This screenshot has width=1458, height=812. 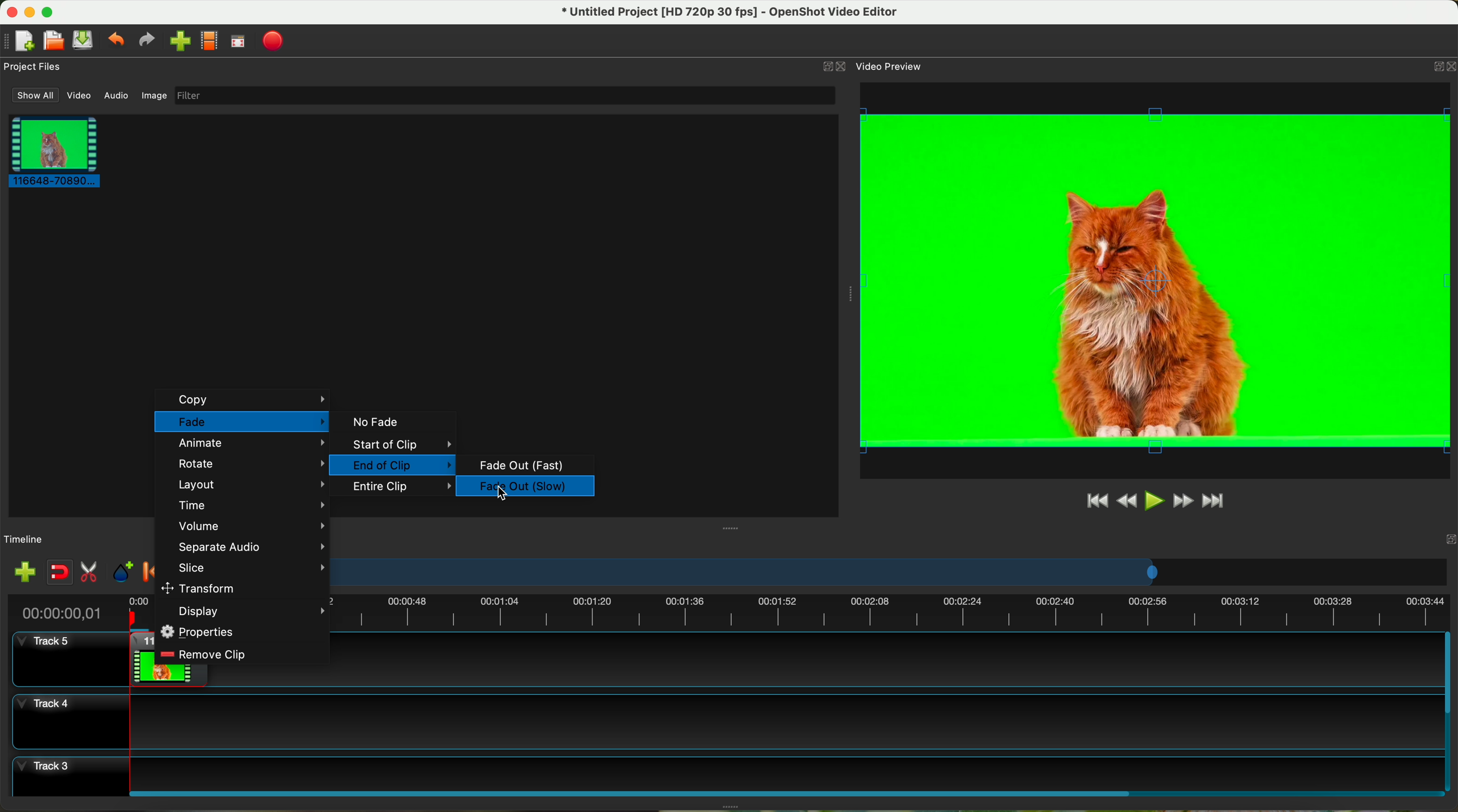 What do you see at coordinates (123, 572) in the screenshot?
I see `add mark` at bounding box center [123, 572].